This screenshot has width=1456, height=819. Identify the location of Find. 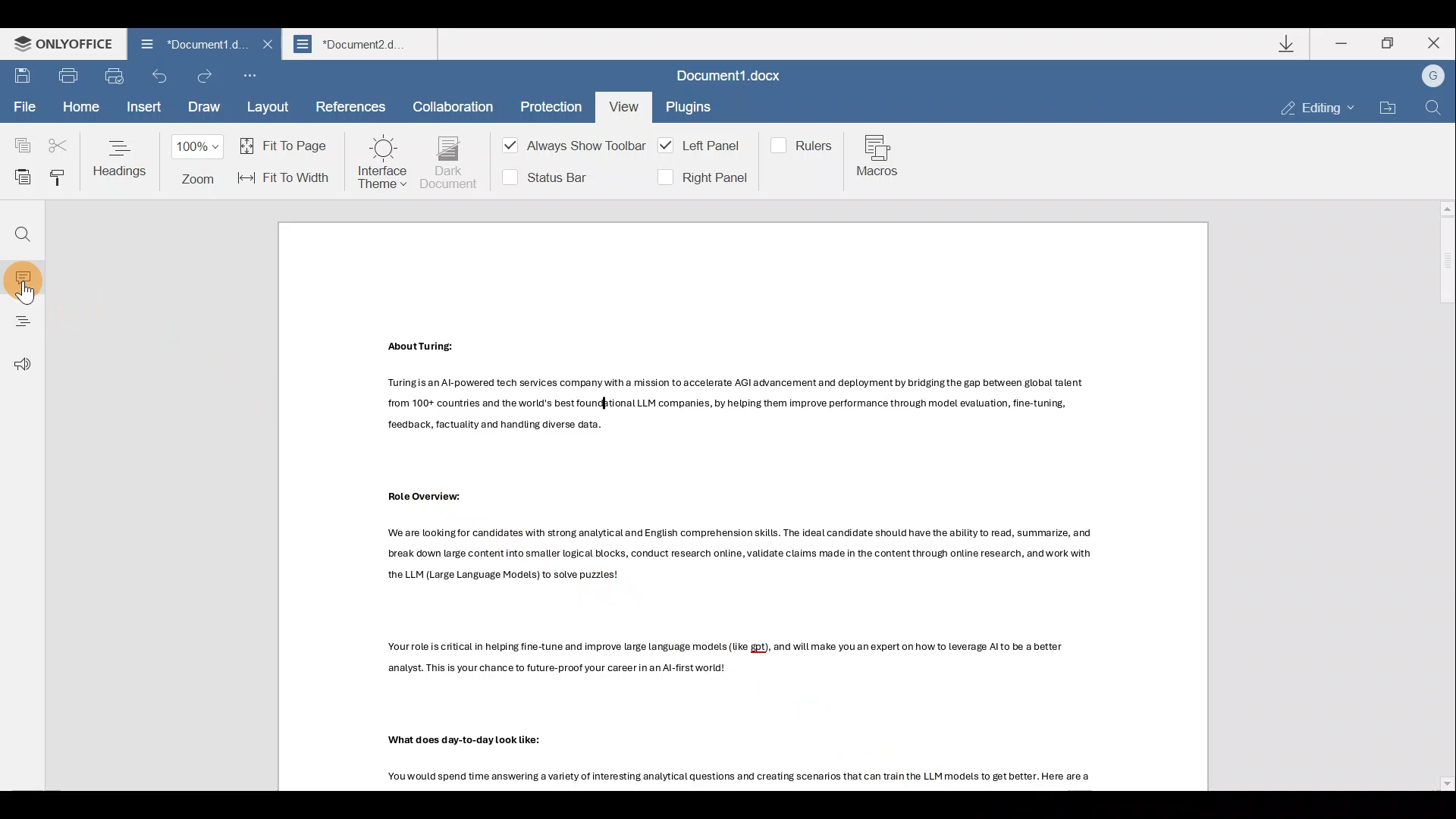
(1433, 108).